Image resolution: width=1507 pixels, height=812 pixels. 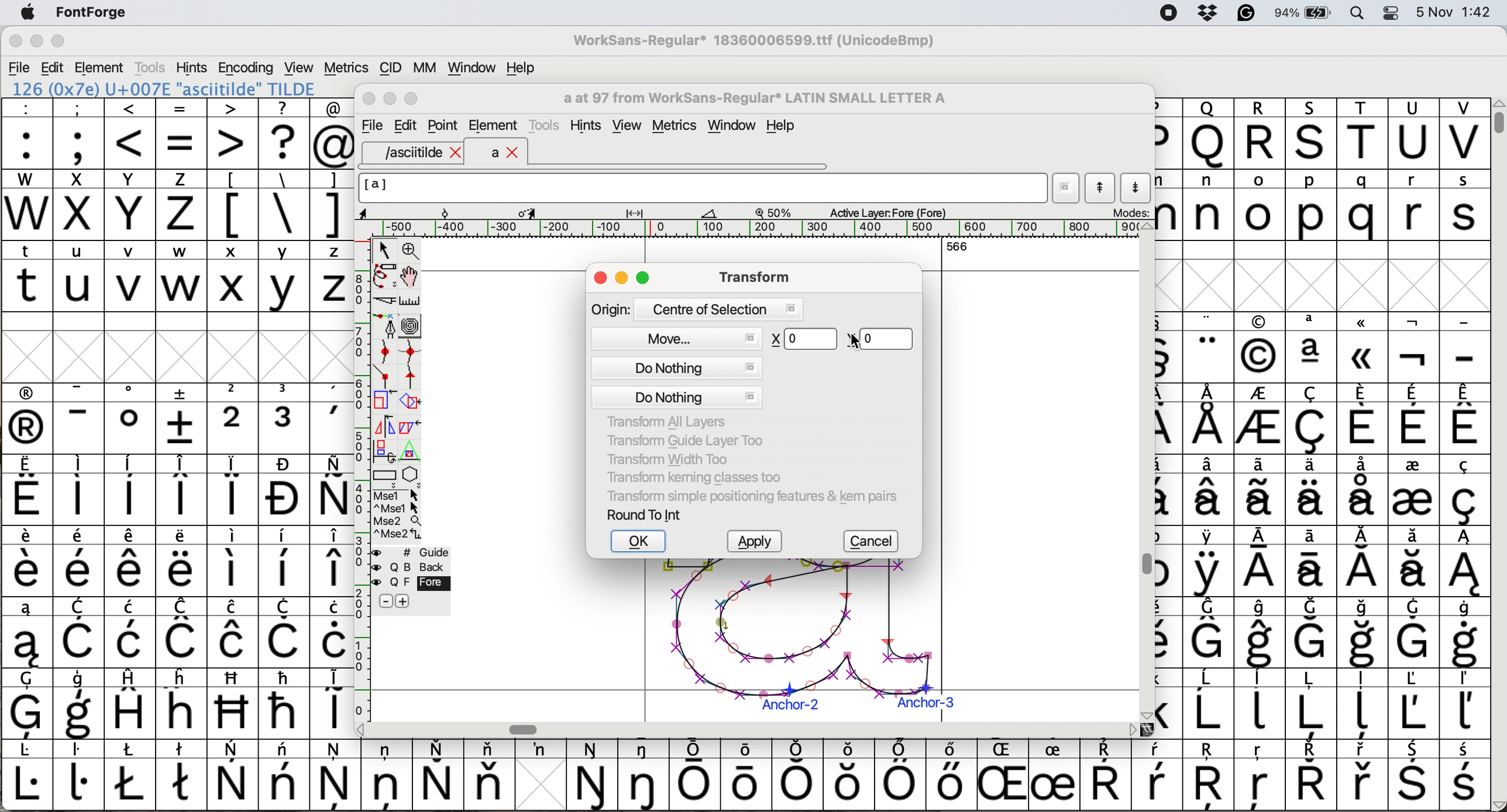 What do you see at coordinates (1313, 419) in the screenshot?
I see `symbol` at bounding box center [1313, 419].